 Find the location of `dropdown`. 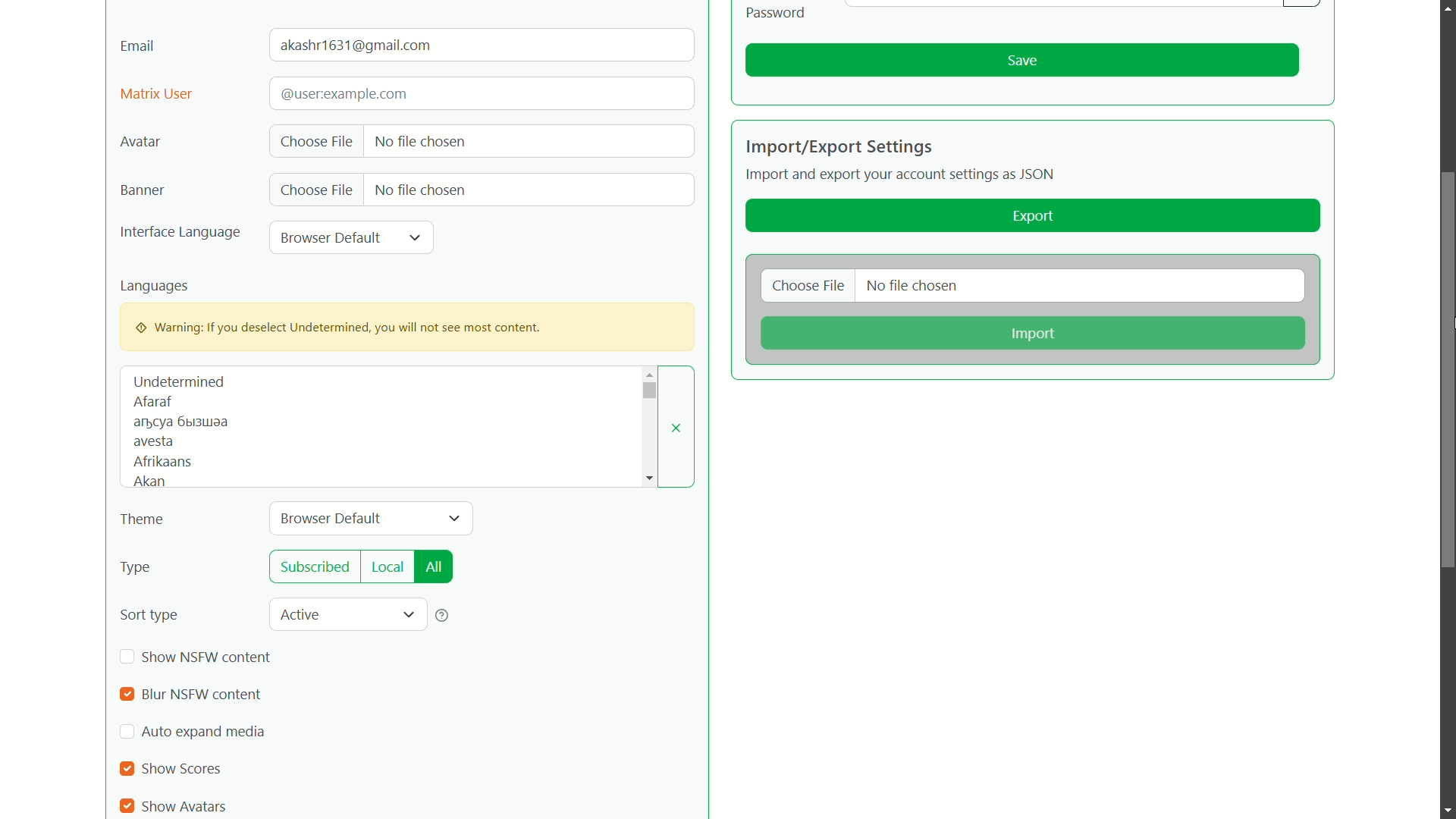

dropdown is located at coordinates (648, 391).